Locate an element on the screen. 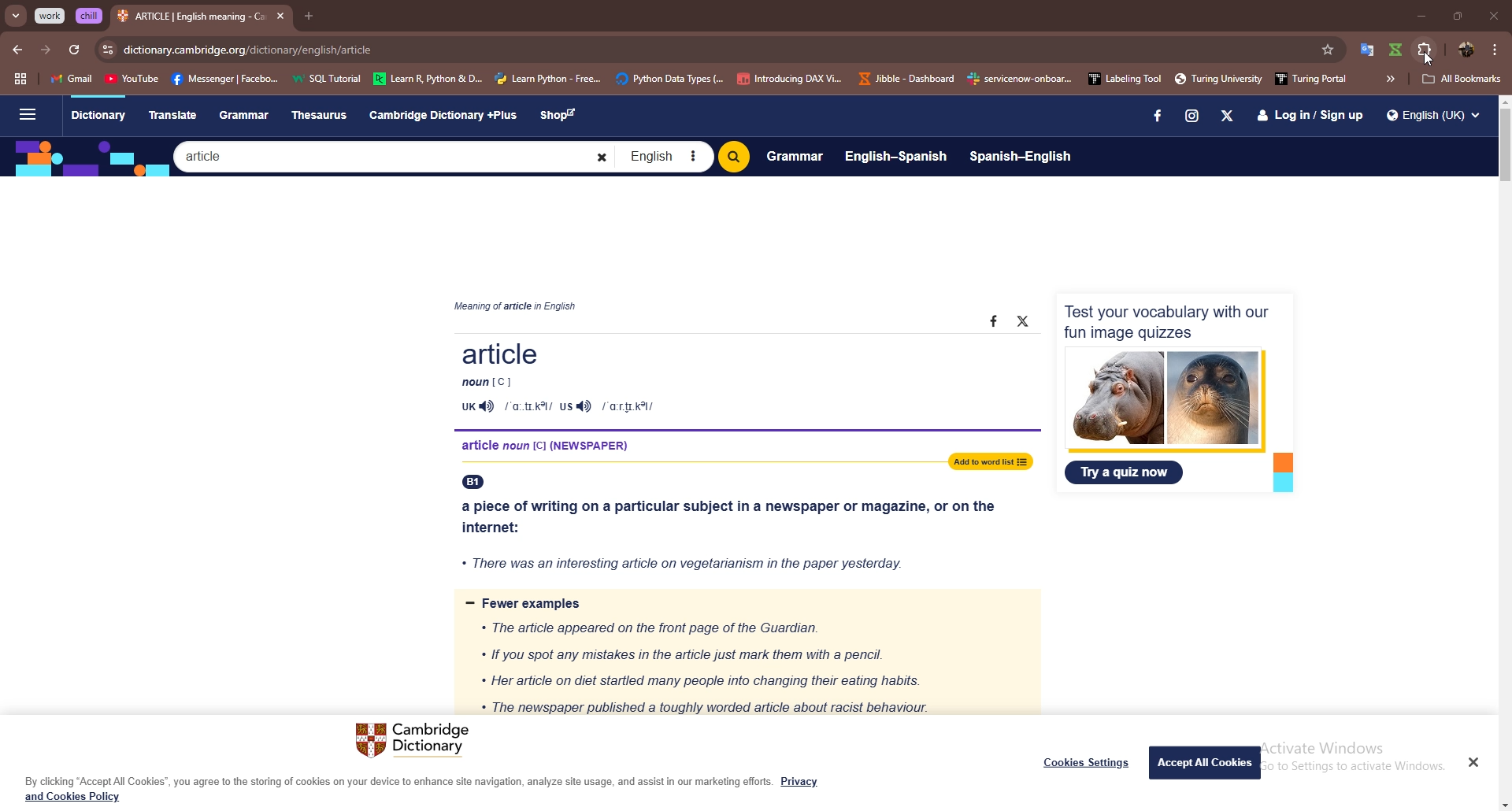 The height and width of the screenshot is (811, 1512). English   is located at coordinates (664, 157).